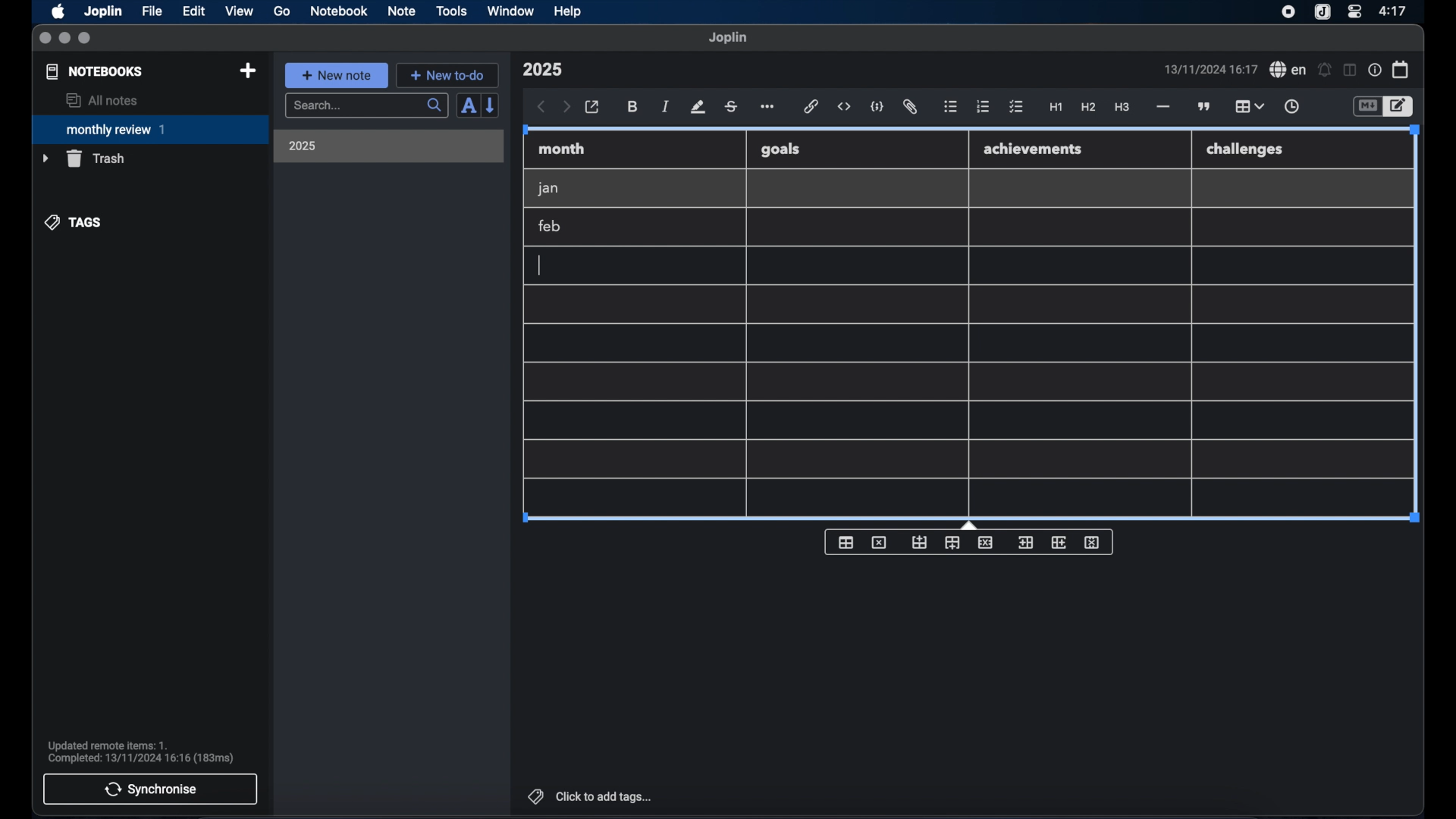  Describe the element at coordinates (569, 11) in the screenshot. I see `help` at that location.